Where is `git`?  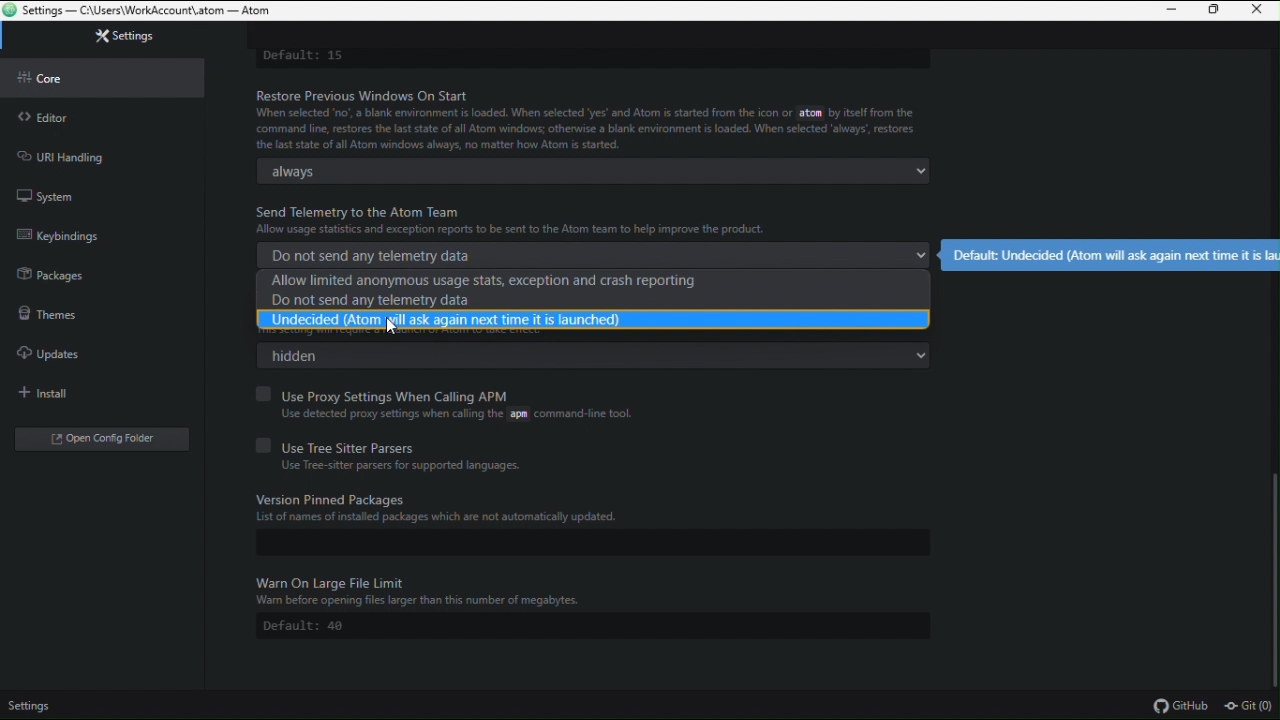 git is located at coordinates (1250, 707).